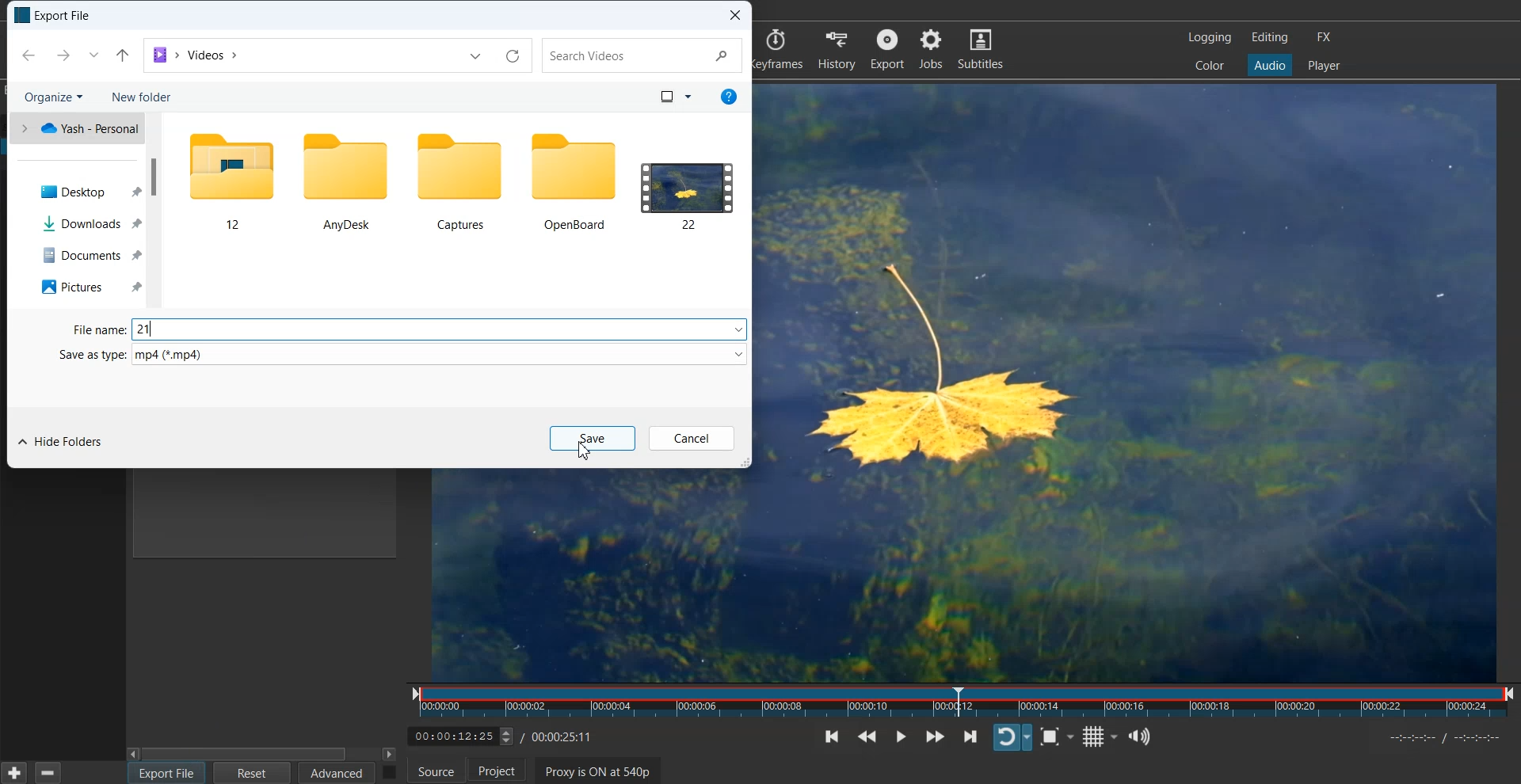  I want to click on Audio, so click(1269, 64).